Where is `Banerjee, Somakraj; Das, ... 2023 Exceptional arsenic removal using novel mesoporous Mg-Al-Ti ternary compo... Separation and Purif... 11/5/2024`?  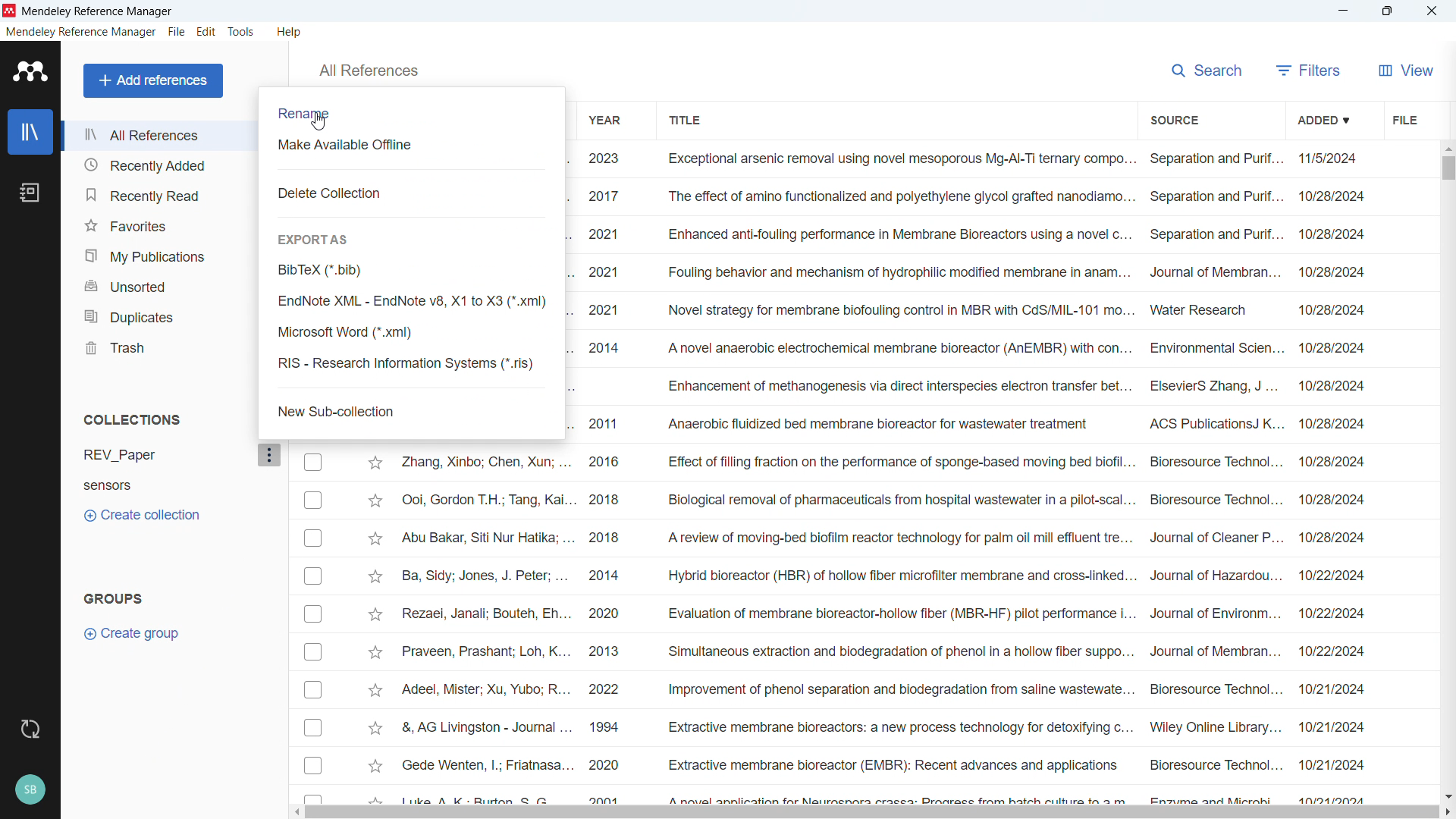 Banerjee, Somakraj; Das, ... 2023 Exceptional arsenic removal using novel mesoporous Mg-Al-Ti ternary compo... Separation and Purif... 11/5/2024 is located at coordinates (970, 159).